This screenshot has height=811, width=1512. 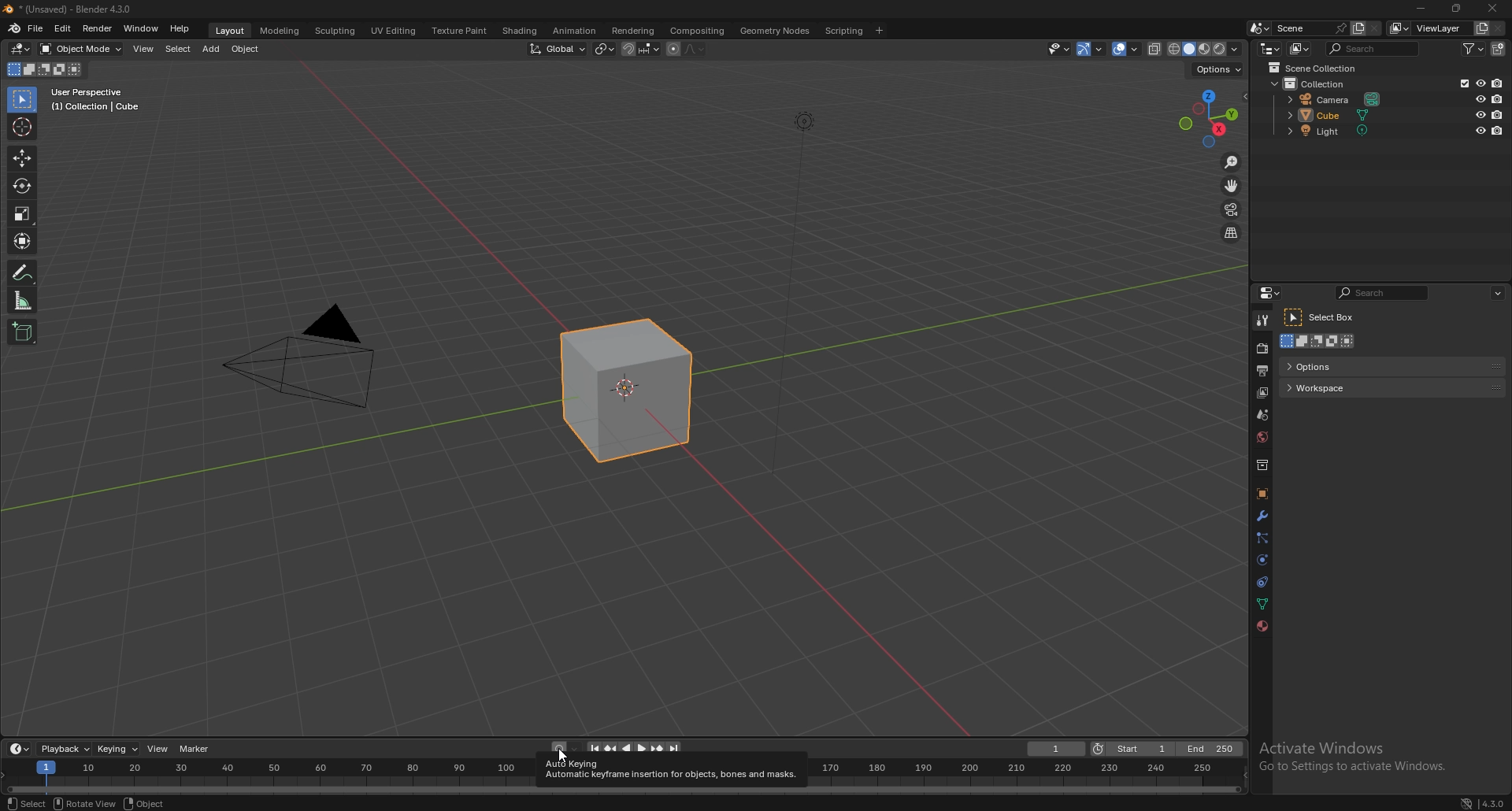 What do you see at coordinates (85, 803) in the screenshot?
I see `rotate view` at bounding box center [85, 803].